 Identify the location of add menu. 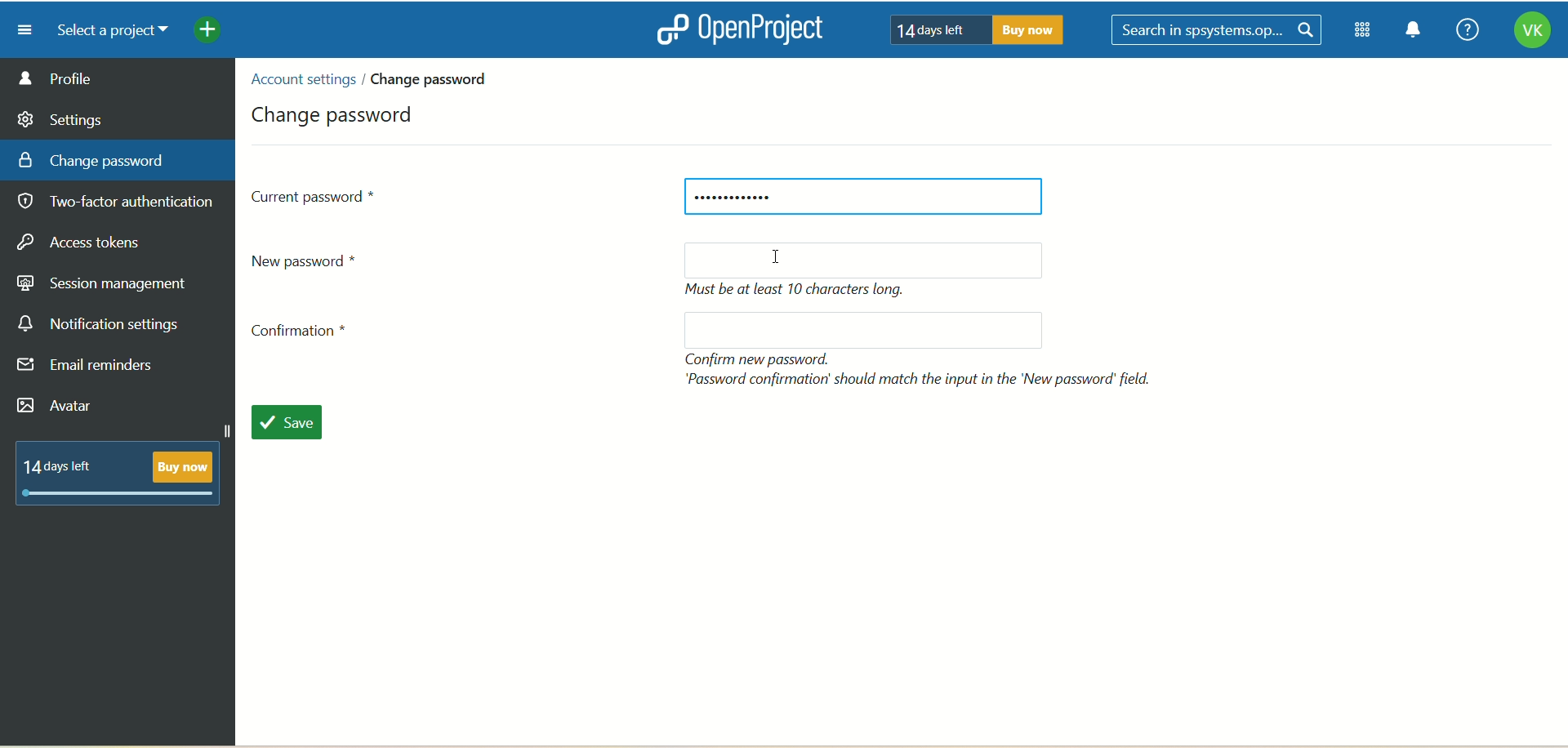
(209, 32).